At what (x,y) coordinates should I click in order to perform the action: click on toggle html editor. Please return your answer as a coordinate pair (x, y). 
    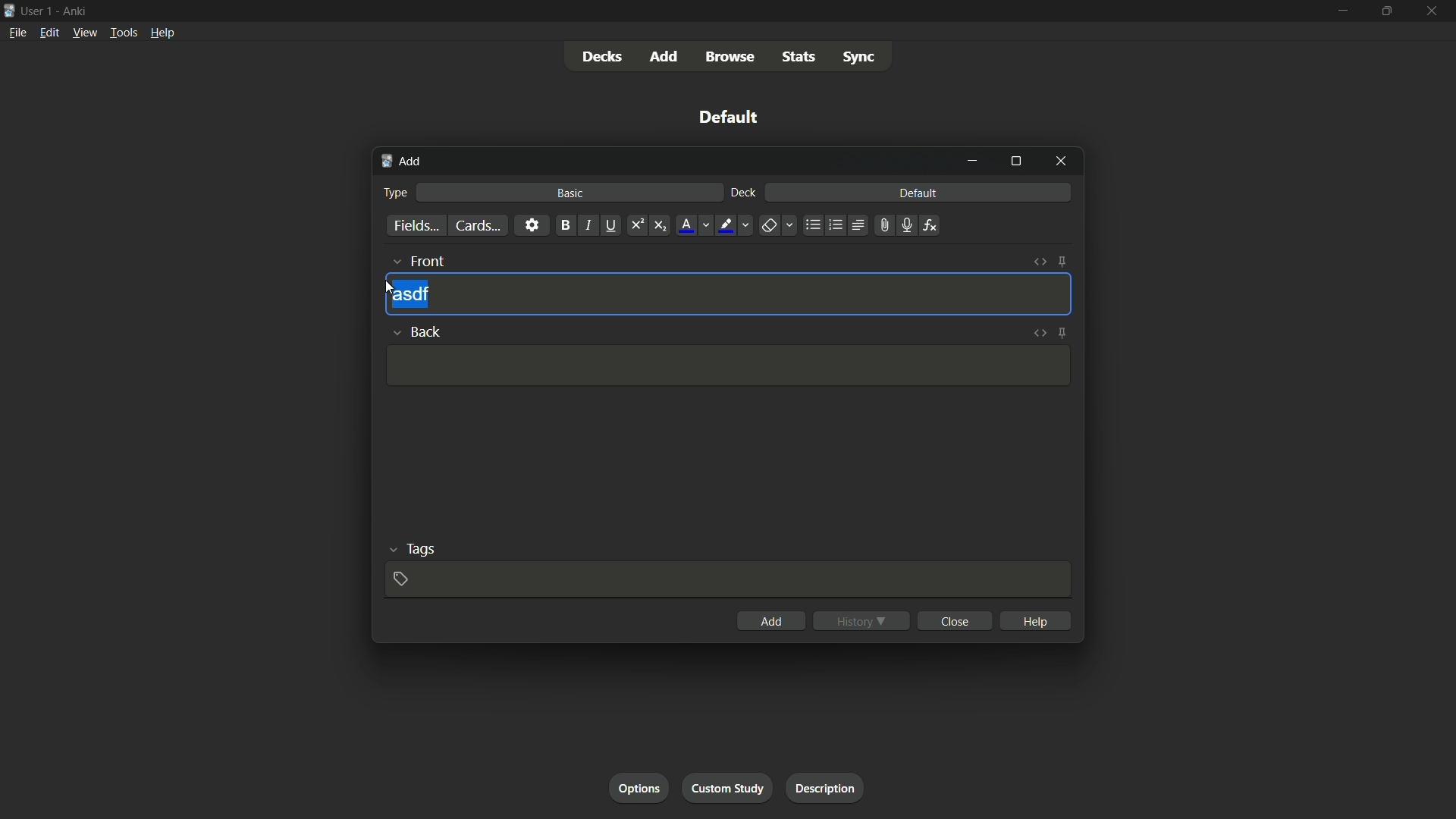
    Looking at the image, I should click on (1040, 262).